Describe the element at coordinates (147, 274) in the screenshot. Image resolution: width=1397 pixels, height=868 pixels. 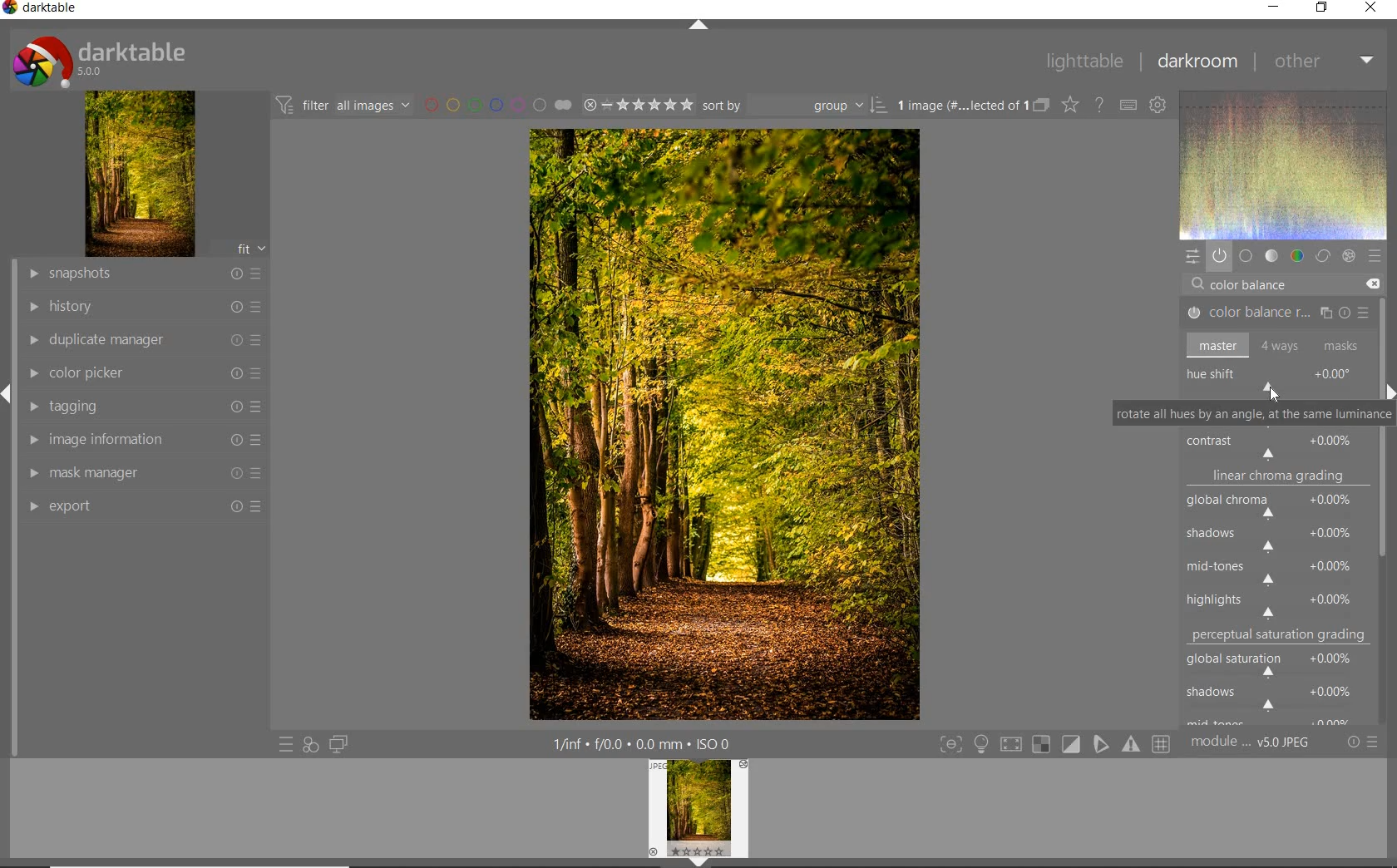
I see `snapshots` at that location.